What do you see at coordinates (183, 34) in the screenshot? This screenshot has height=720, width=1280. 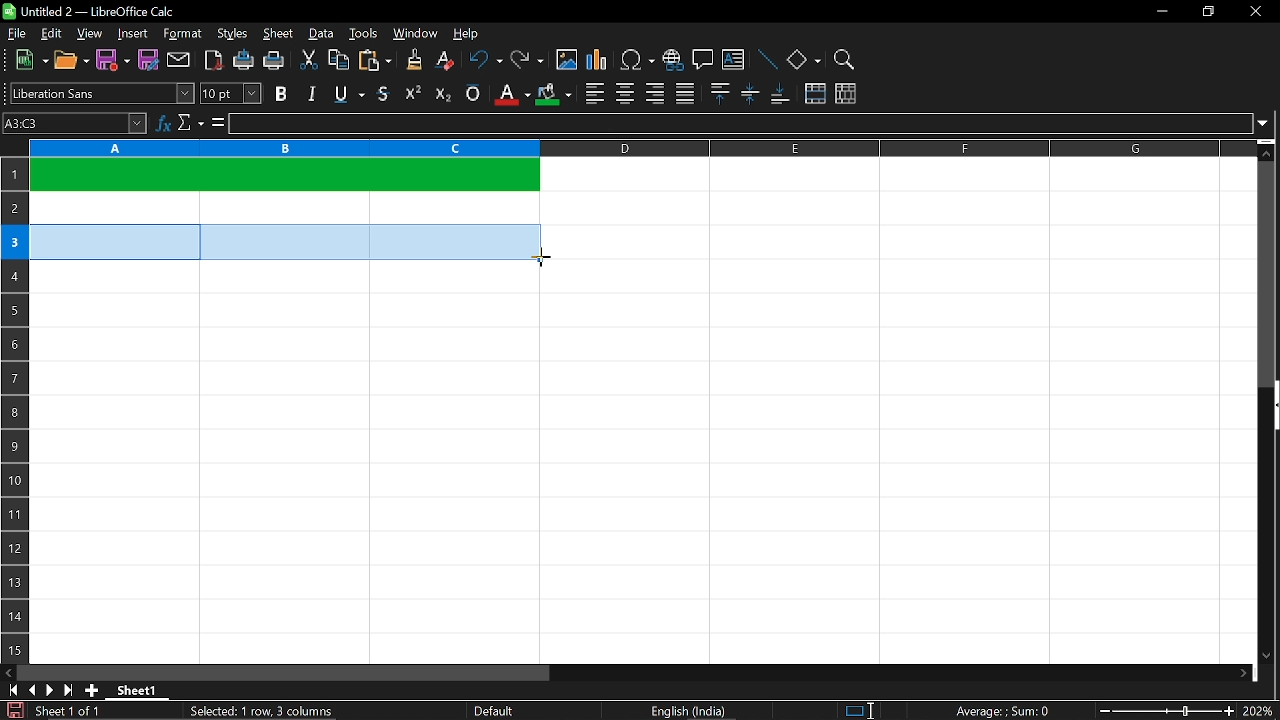 I see `format` at bounding box center [183, 34].